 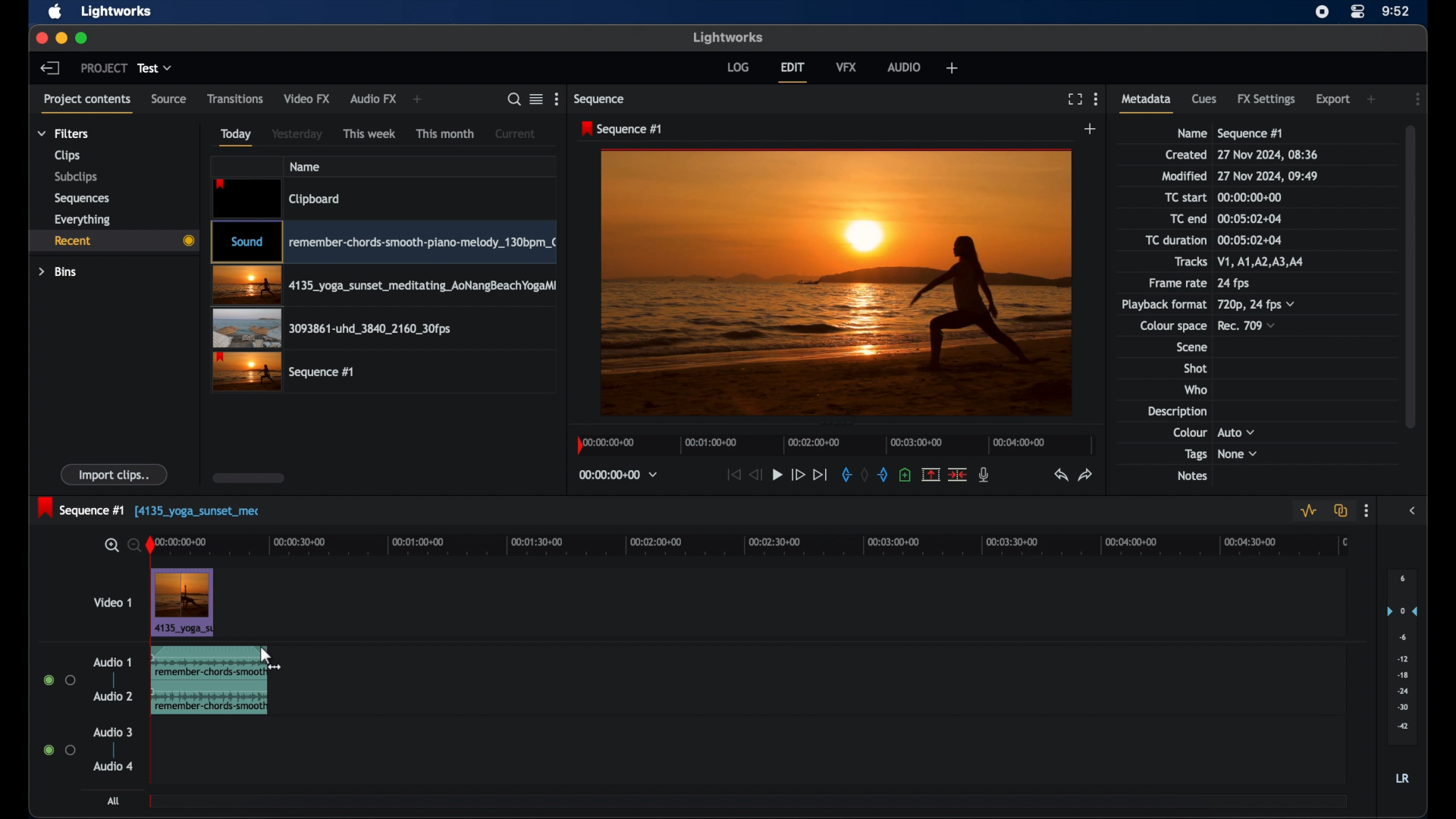 What do you see at coordinates (513, 99) in the screenshot?
I see `search` at bounding box center [513, 99].